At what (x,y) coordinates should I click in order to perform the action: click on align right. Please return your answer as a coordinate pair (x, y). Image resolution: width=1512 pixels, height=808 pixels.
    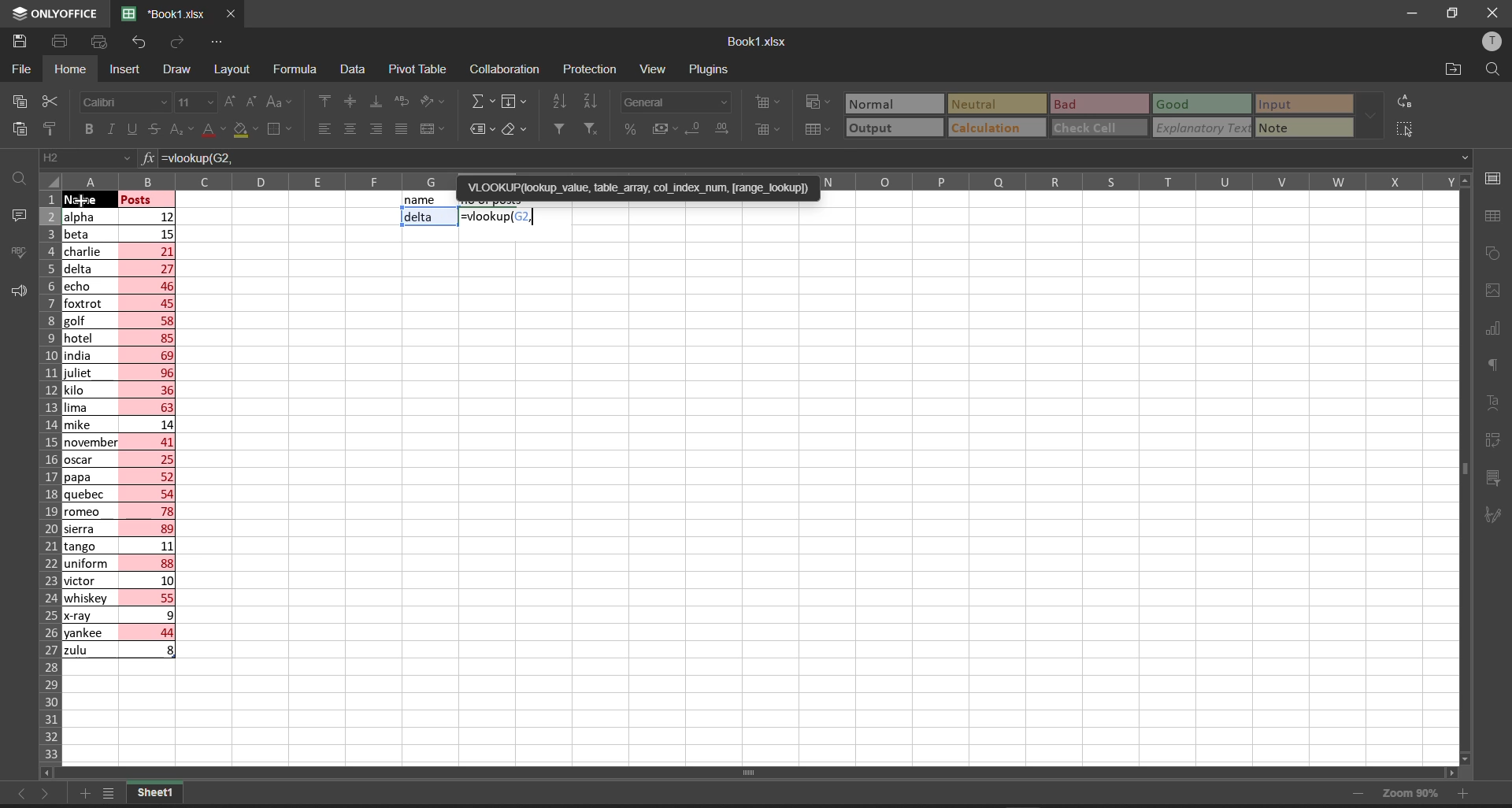
    Looking at the image, I should click on (372, 128).